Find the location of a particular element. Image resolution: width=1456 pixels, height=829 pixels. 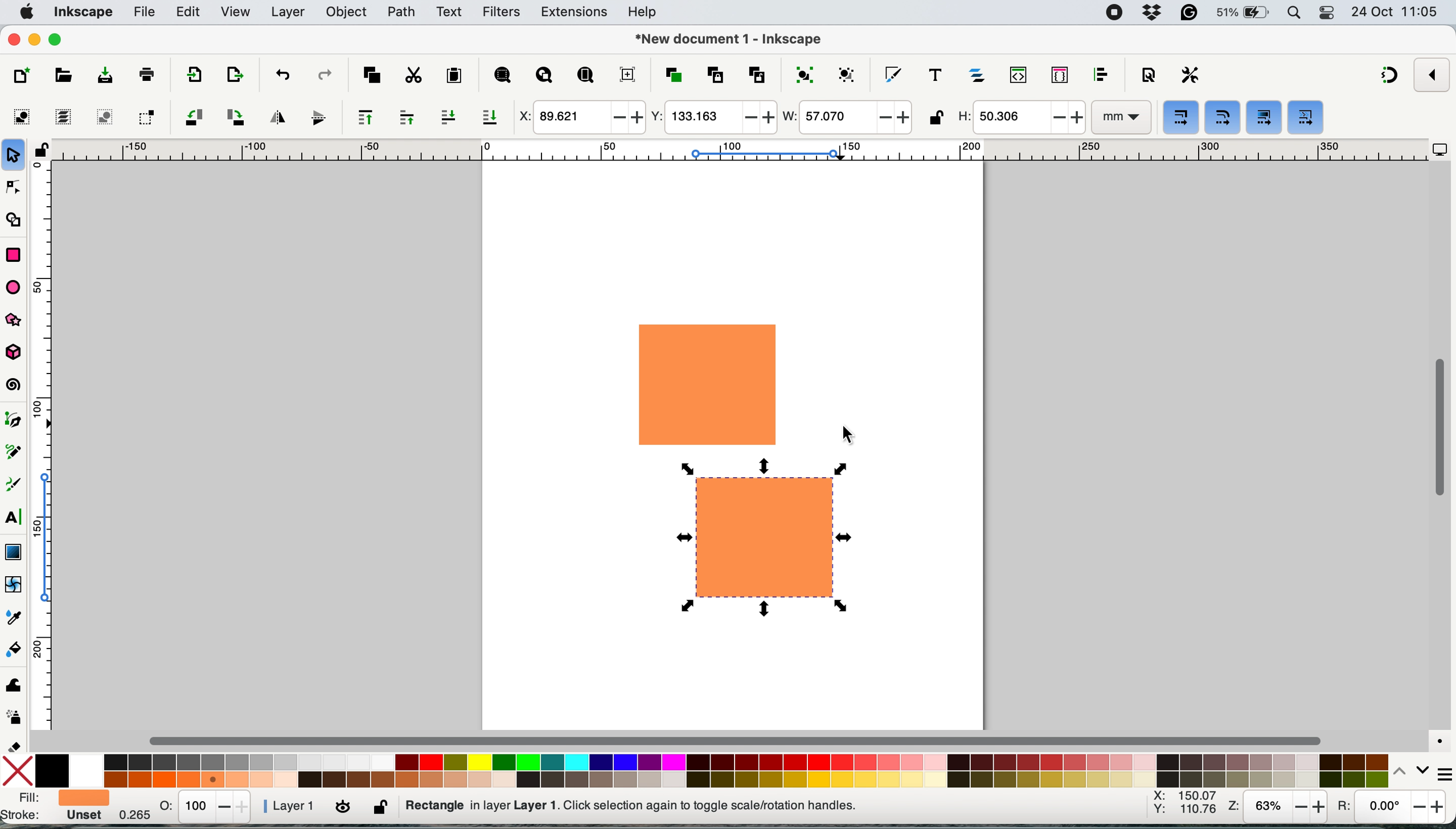

print is located at coordinates (147, 73).